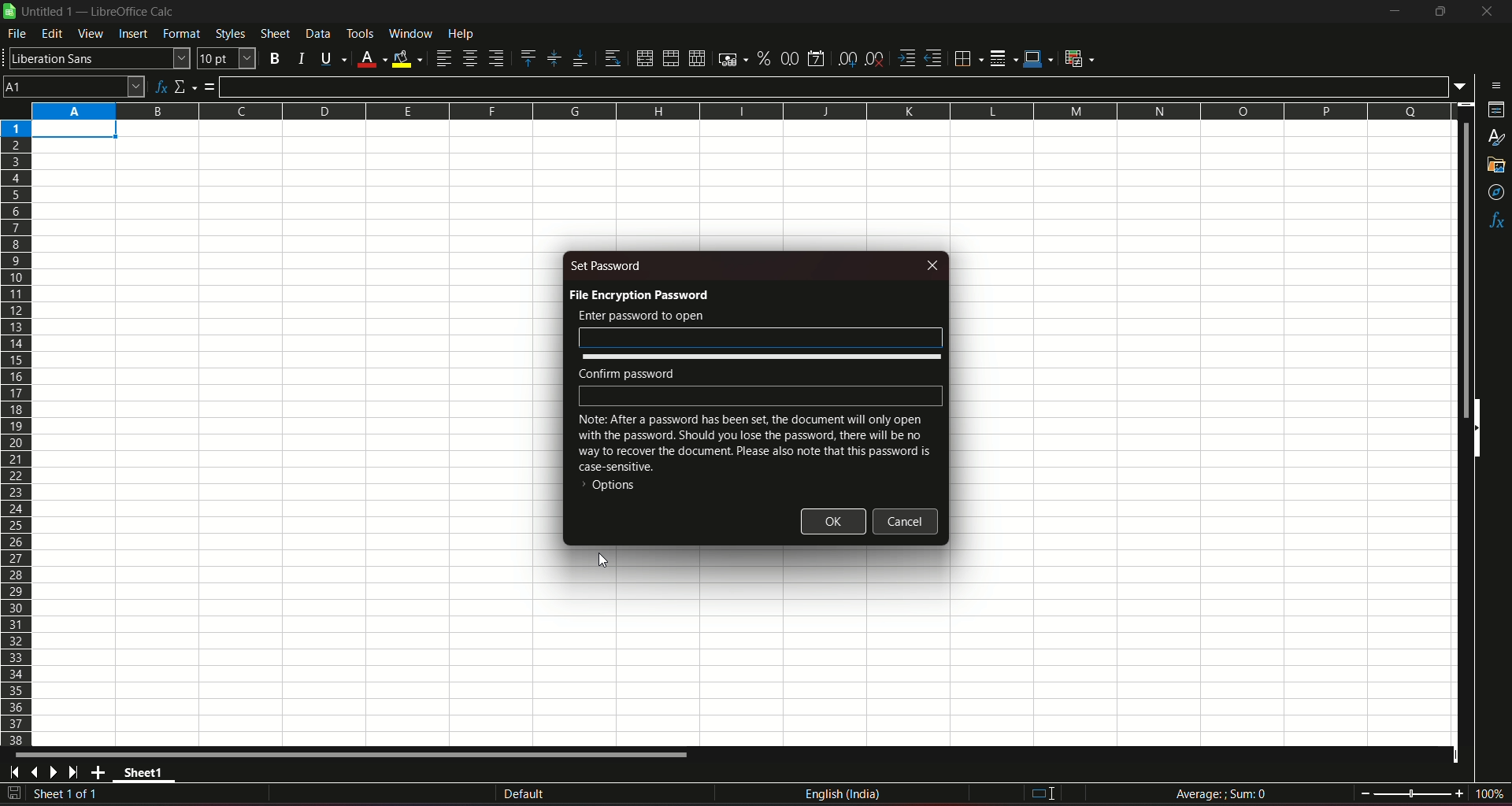 The width and height of the screenshot is (1512, 806). I want to click on name box, so click(74, 86).